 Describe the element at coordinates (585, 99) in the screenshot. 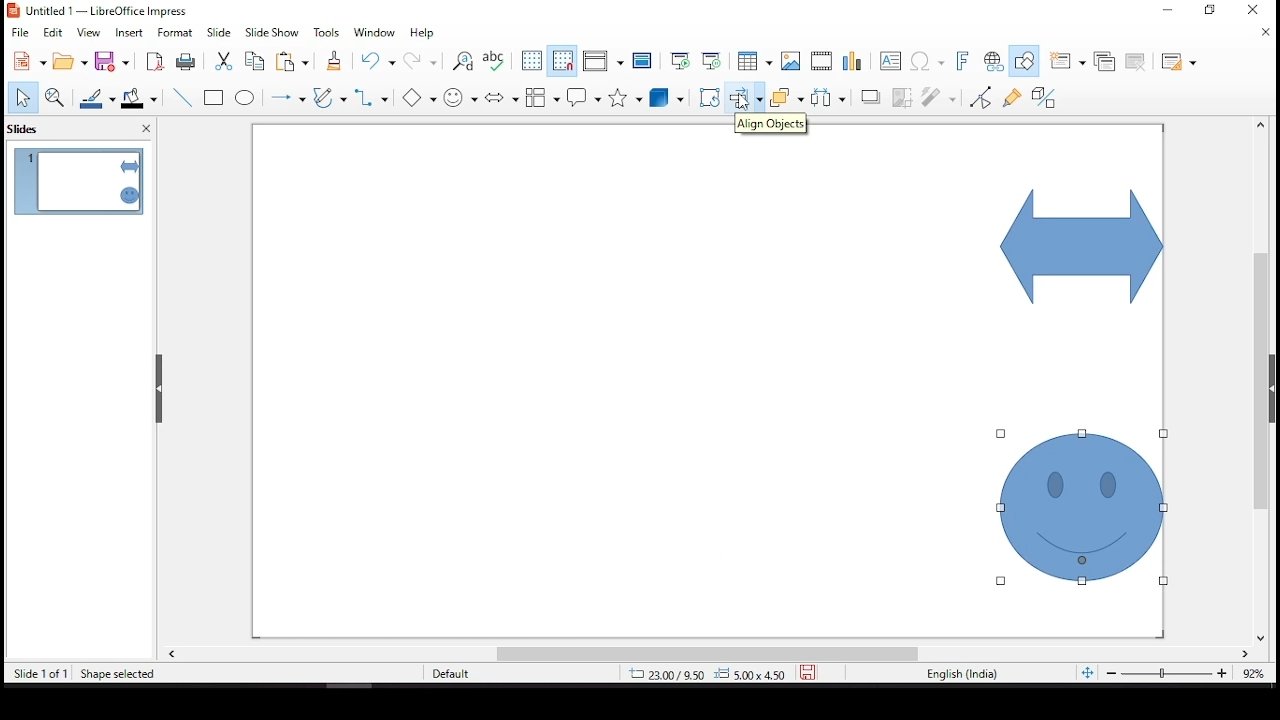

I see `callout shapes` at that location.